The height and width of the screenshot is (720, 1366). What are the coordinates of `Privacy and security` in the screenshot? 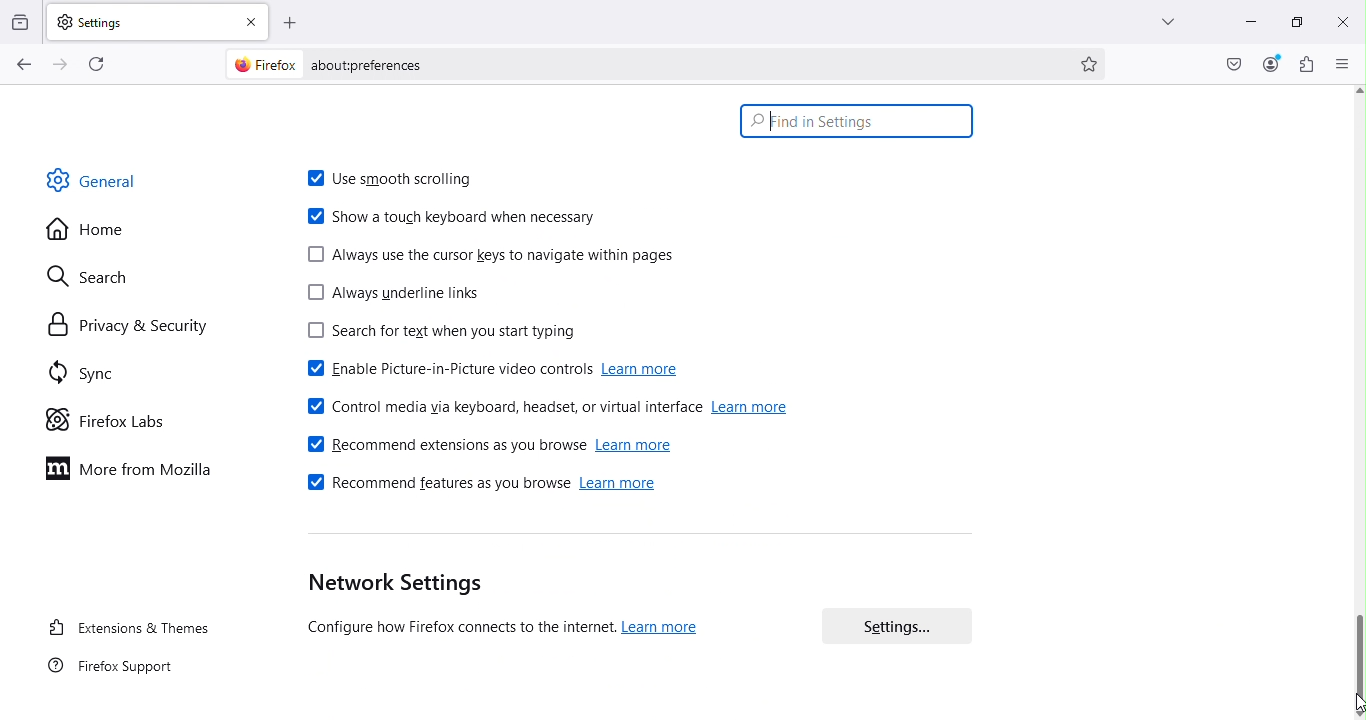 It's located at (119, 324).